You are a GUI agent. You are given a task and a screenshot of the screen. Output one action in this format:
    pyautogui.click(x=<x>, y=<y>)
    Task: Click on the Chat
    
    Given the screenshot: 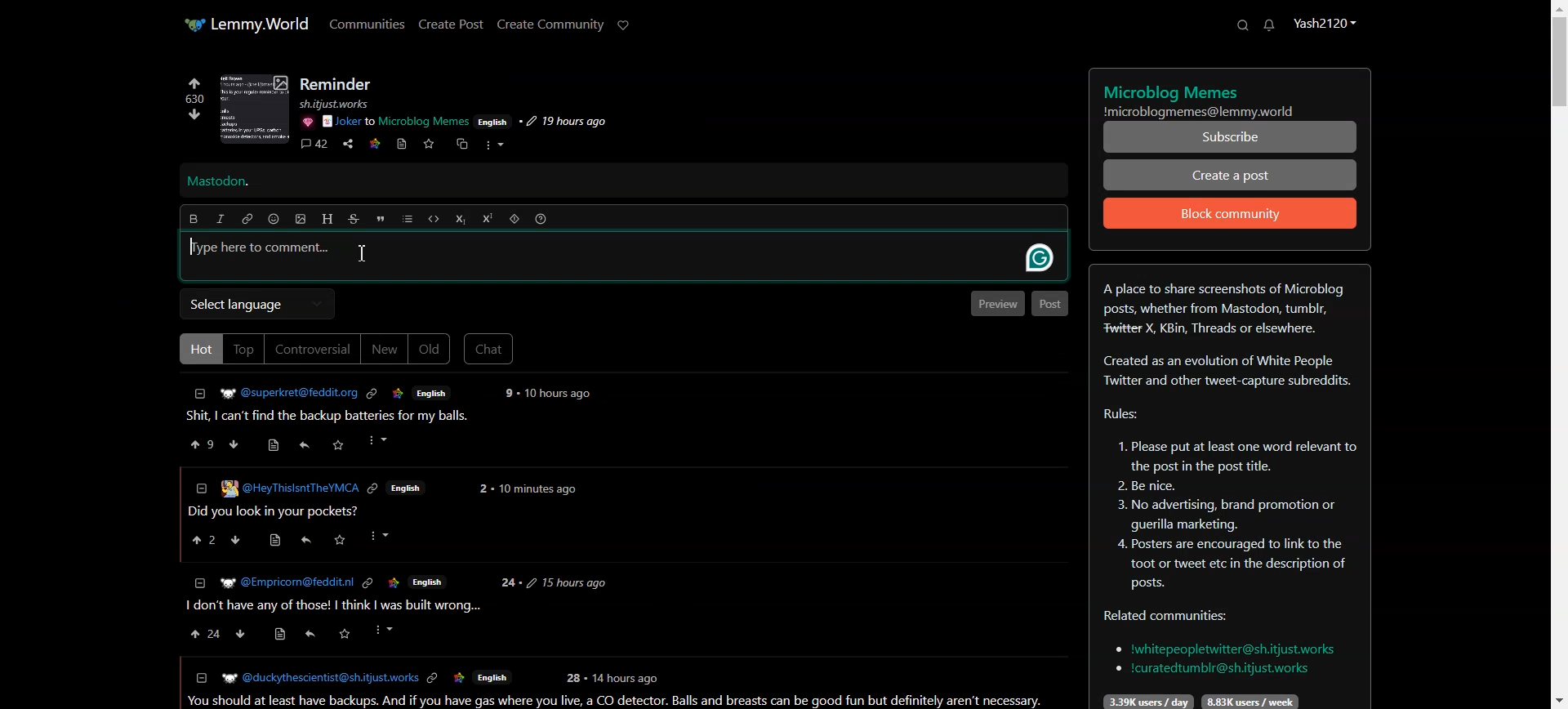 What is the action you would take?
    pyautogui.click(x=489, y=349)
    